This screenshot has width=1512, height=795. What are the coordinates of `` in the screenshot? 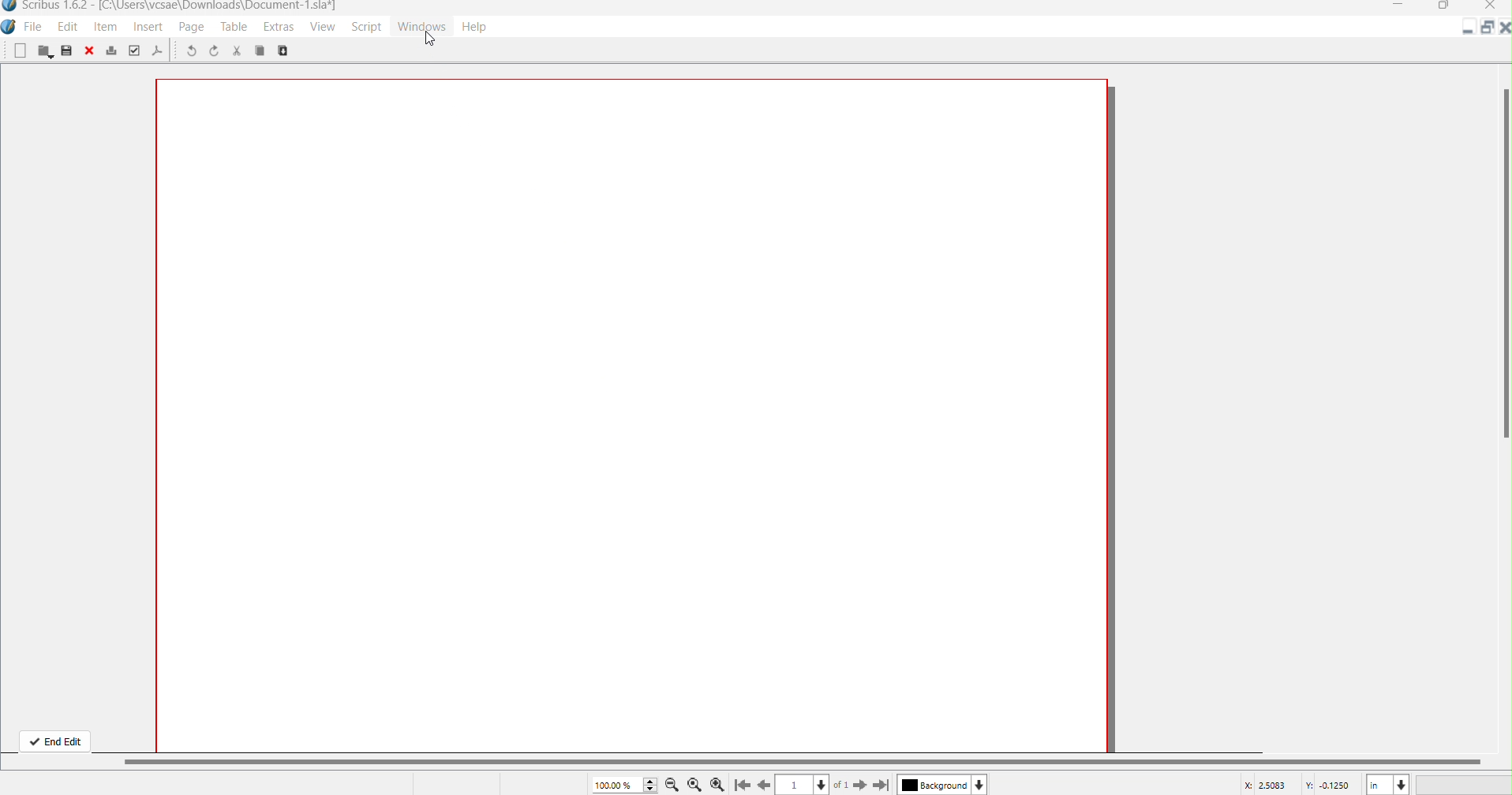 It's located at (91, 50).